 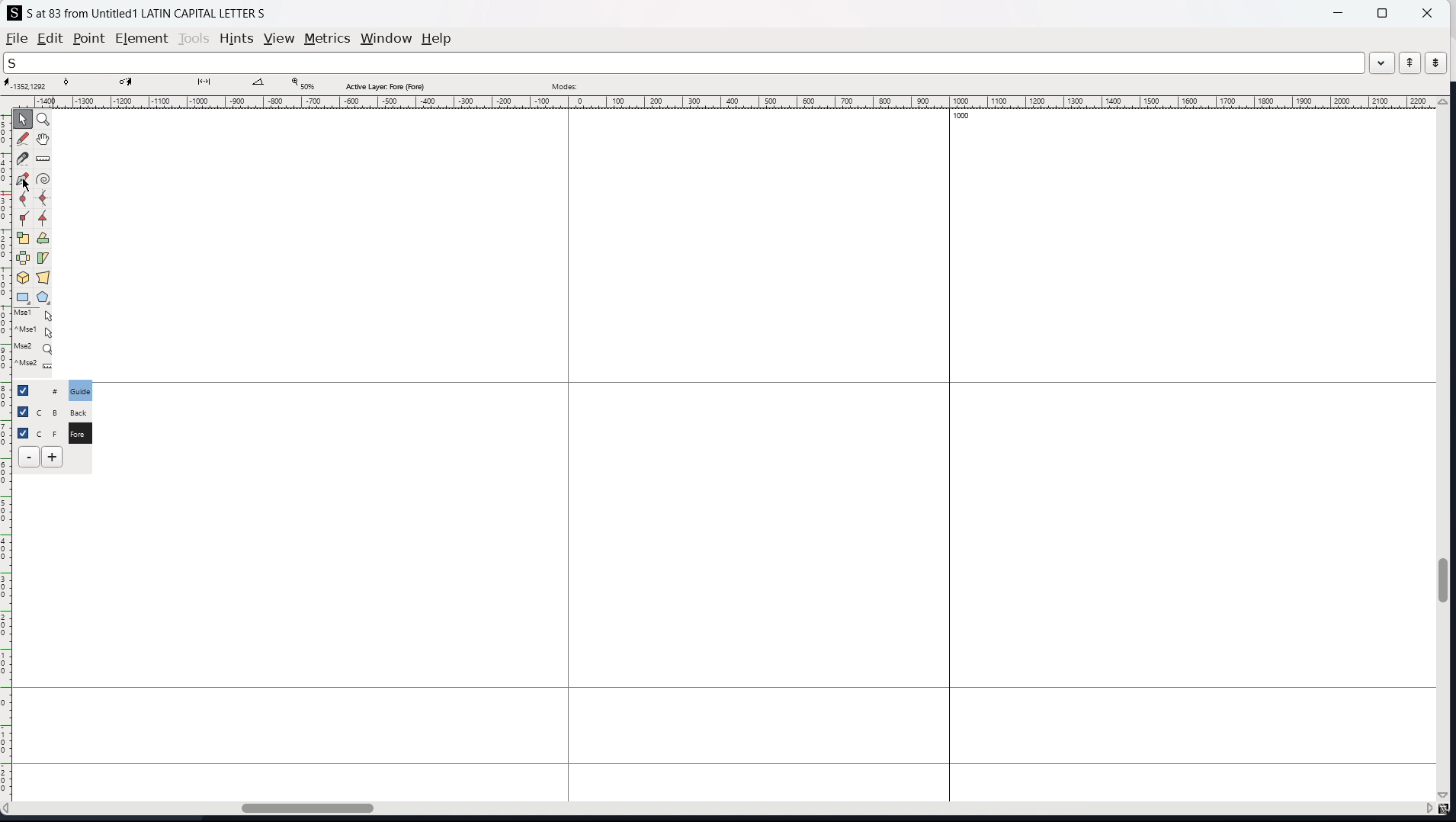 I want to click on add a curve point, so click(x=24, y=199).